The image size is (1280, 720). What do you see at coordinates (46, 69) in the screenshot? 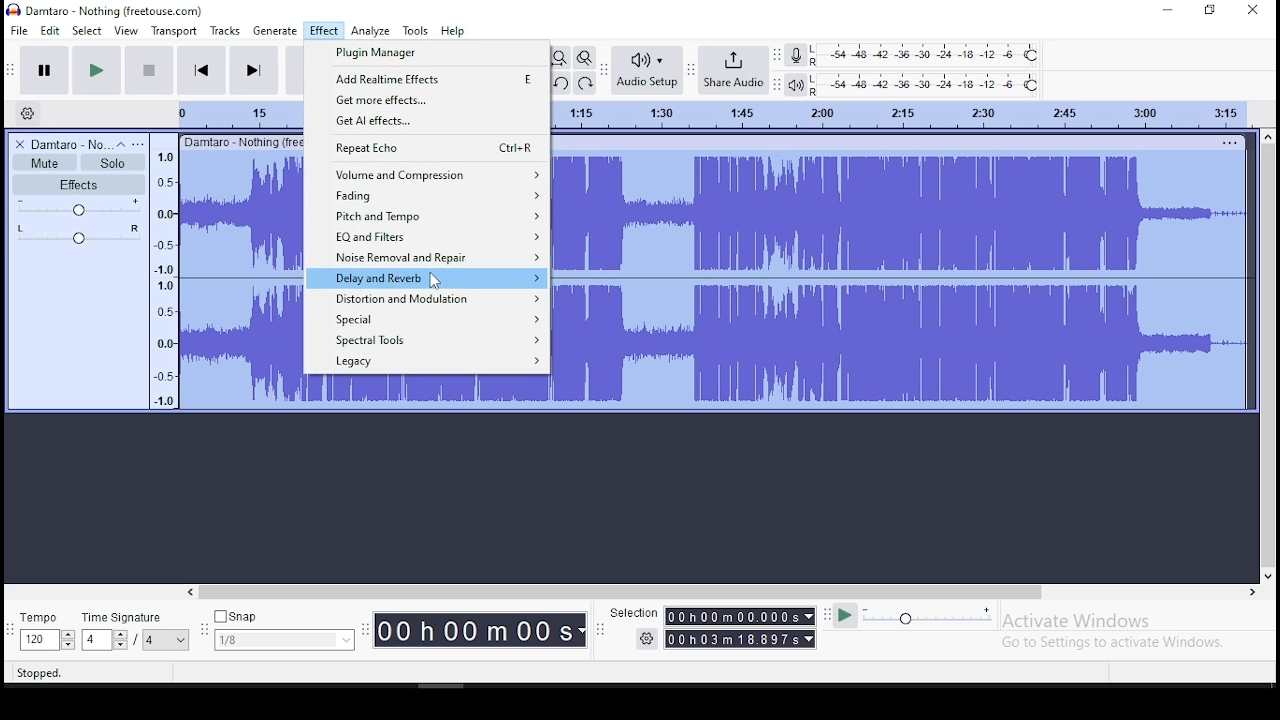
I see `pause` at bounding box center [46, 69].